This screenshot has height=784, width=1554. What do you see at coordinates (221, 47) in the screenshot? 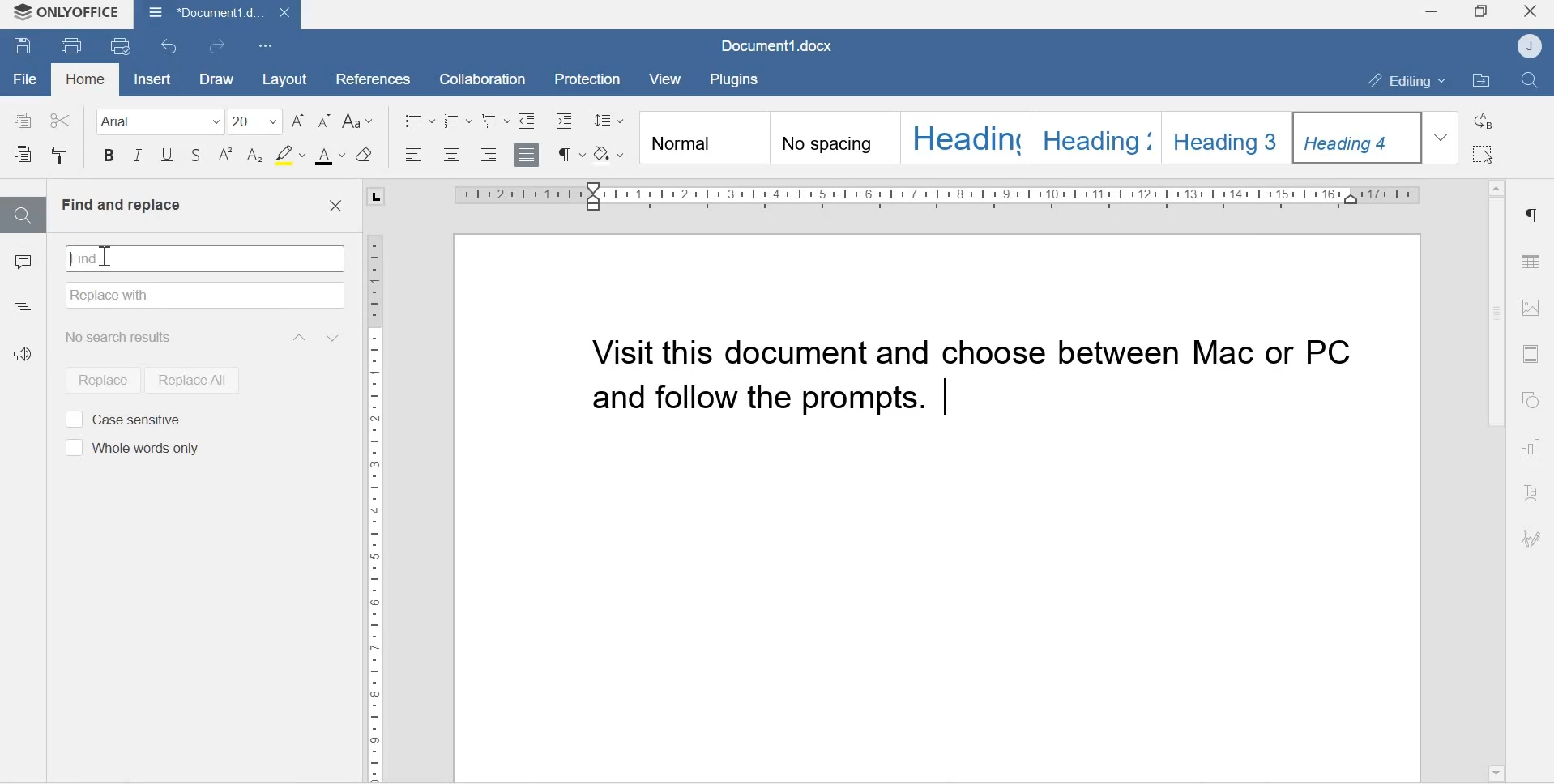
I see `Redo` at bounding box center [221, 47].